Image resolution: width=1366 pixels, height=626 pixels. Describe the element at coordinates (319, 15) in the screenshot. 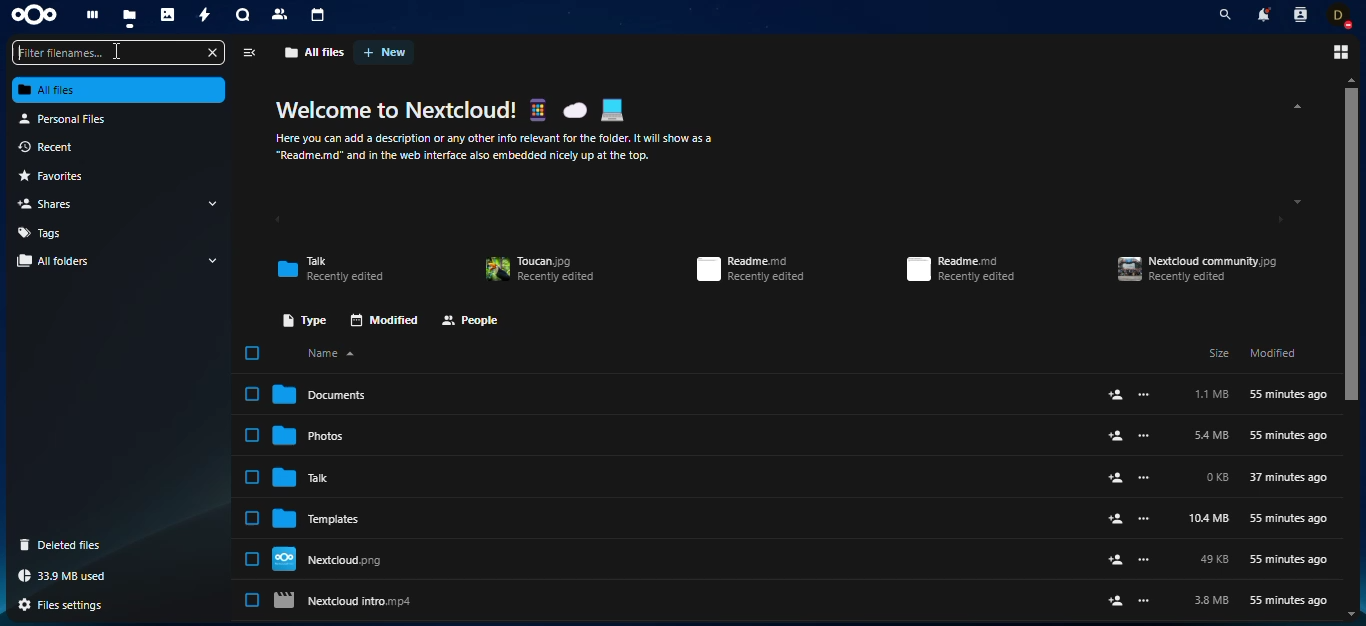

I see `calendar` at that location.